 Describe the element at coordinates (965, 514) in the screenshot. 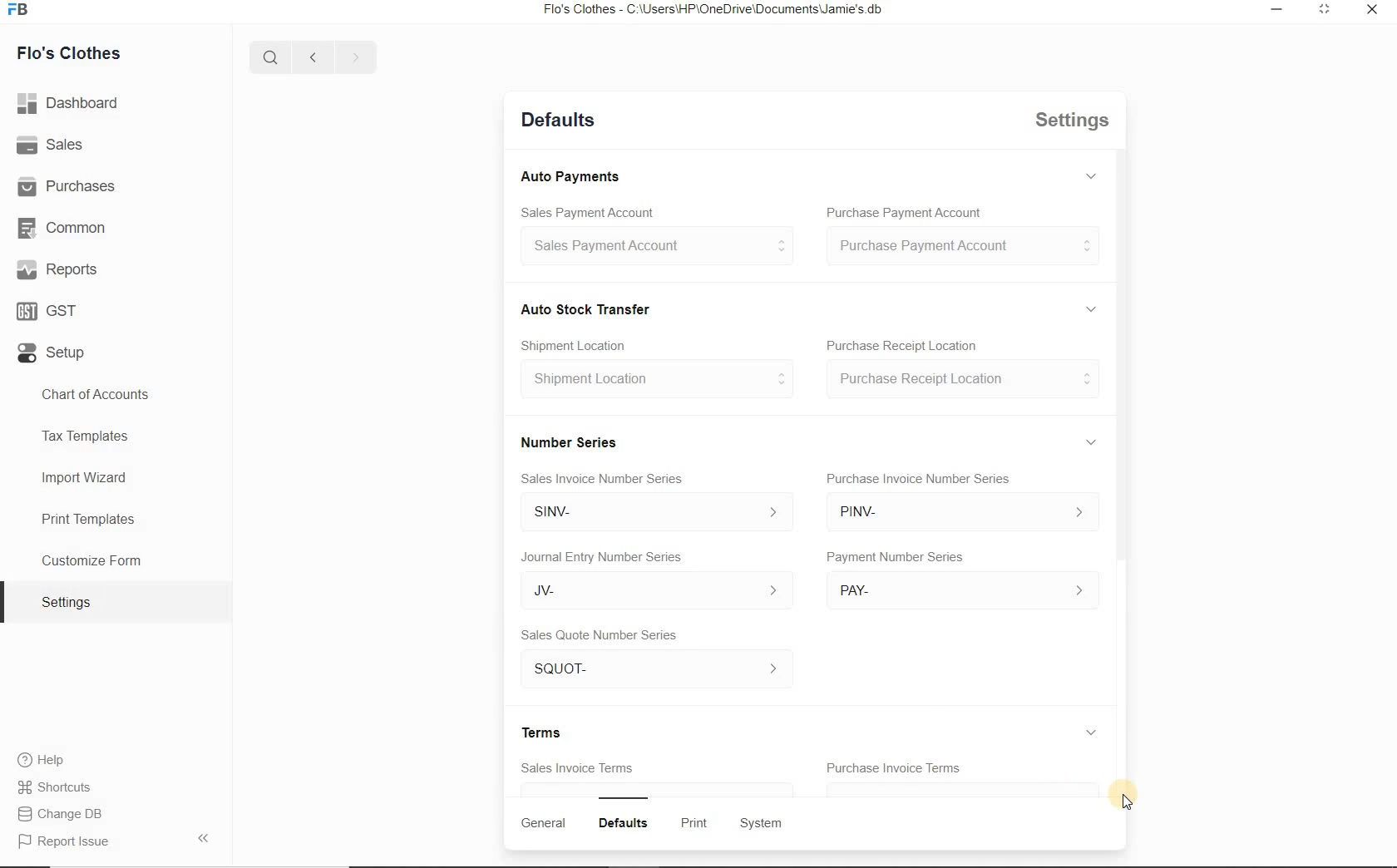

I see `PINV` at that location.